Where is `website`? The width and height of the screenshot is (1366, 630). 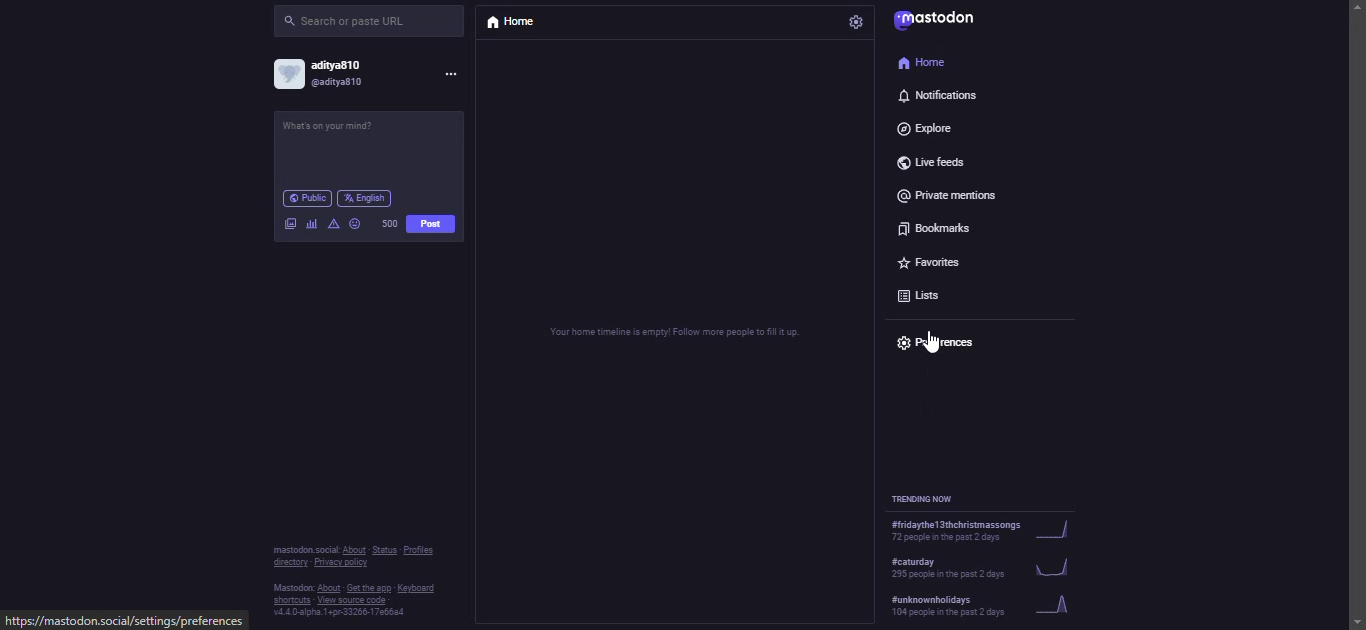 website is located at coordinates (126, 620).